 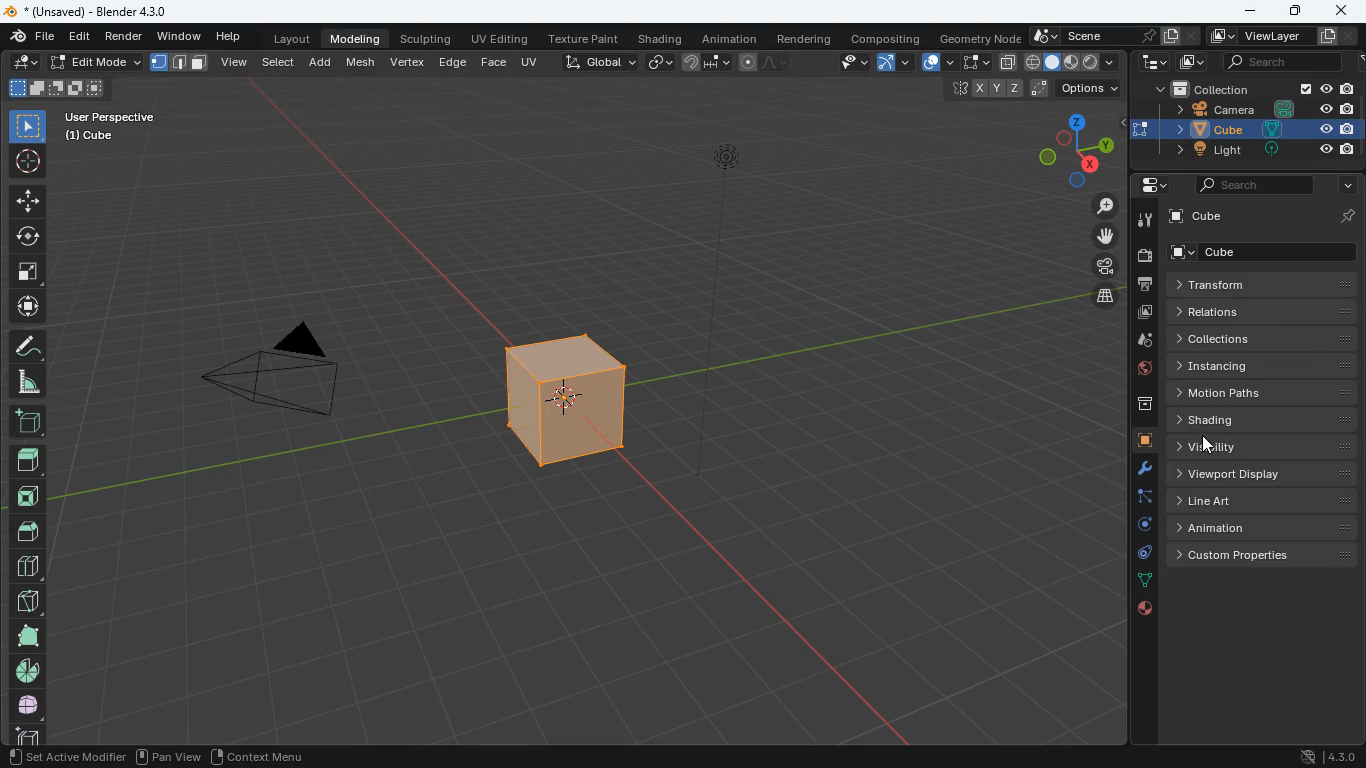 What do you see at coordinates (1036, 89) in the screenshot?
I see `postion` at bounding box center [1036, 89].